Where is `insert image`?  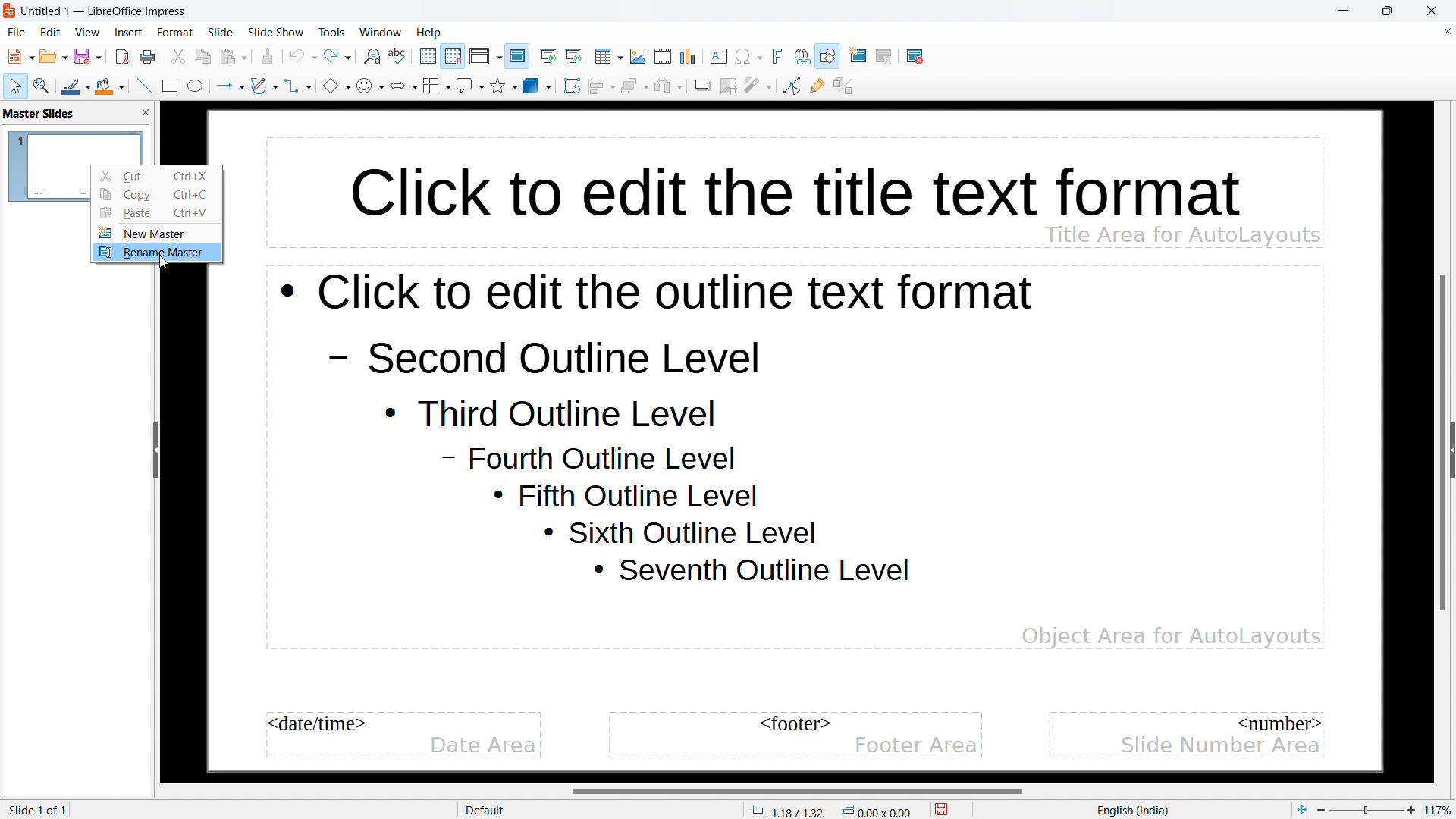
insert image is located at coordinates (639, 56).